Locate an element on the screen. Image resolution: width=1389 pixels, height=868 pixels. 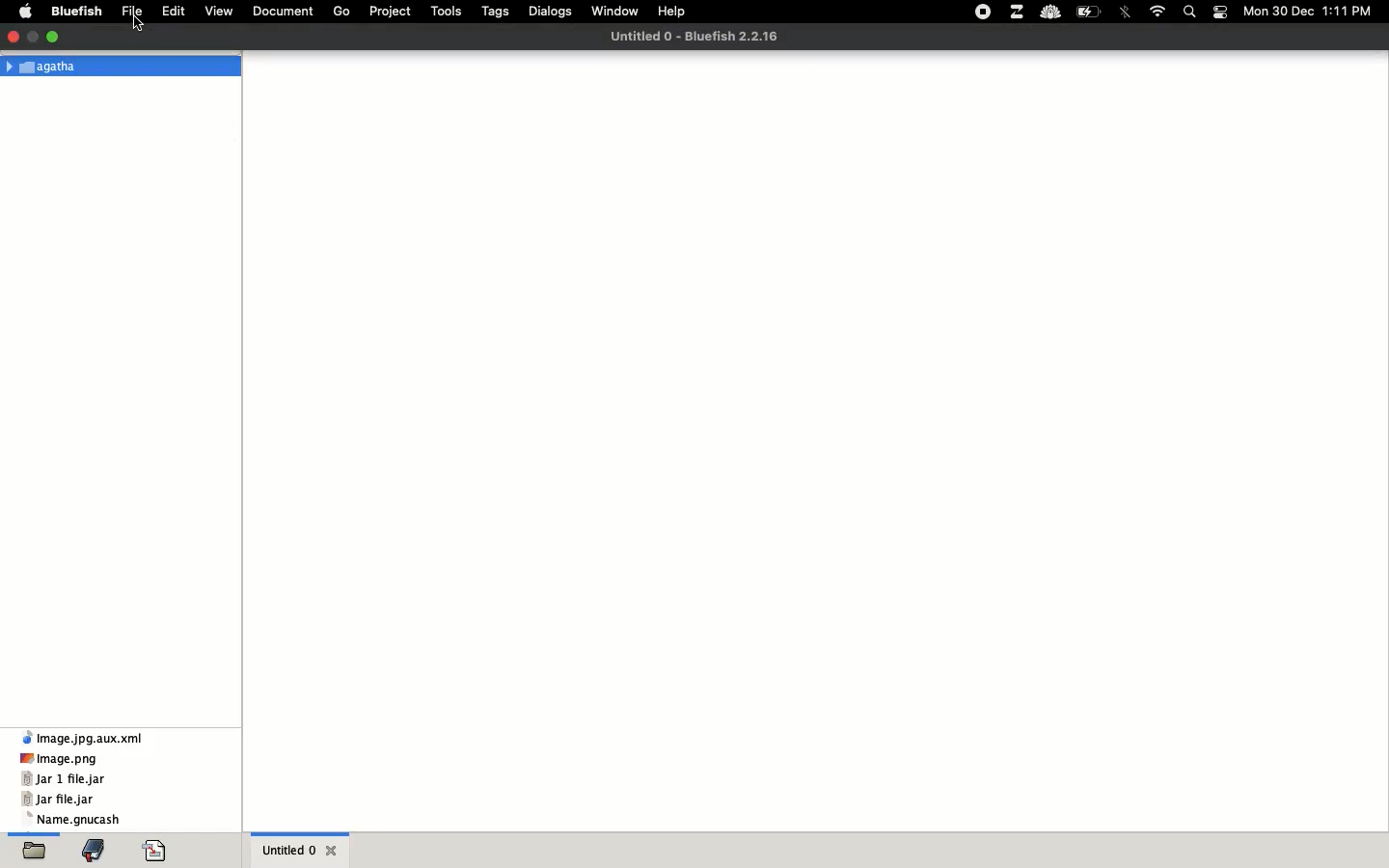
full screen is located at coordinates (35, 34).